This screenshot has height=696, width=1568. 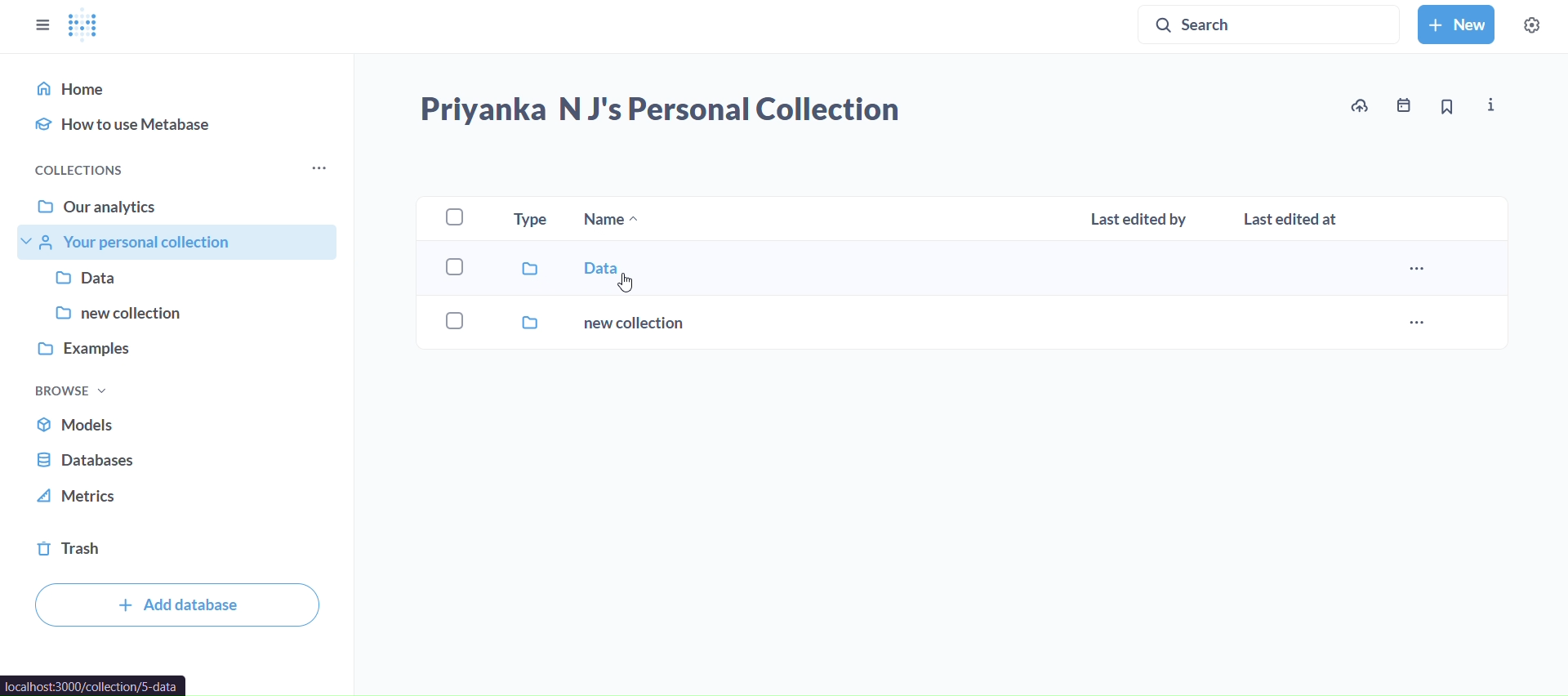 What do you see at coordinates (1448, 108) in the screenshot?
I see `bookmarks` at bounding box center [1448, 108].